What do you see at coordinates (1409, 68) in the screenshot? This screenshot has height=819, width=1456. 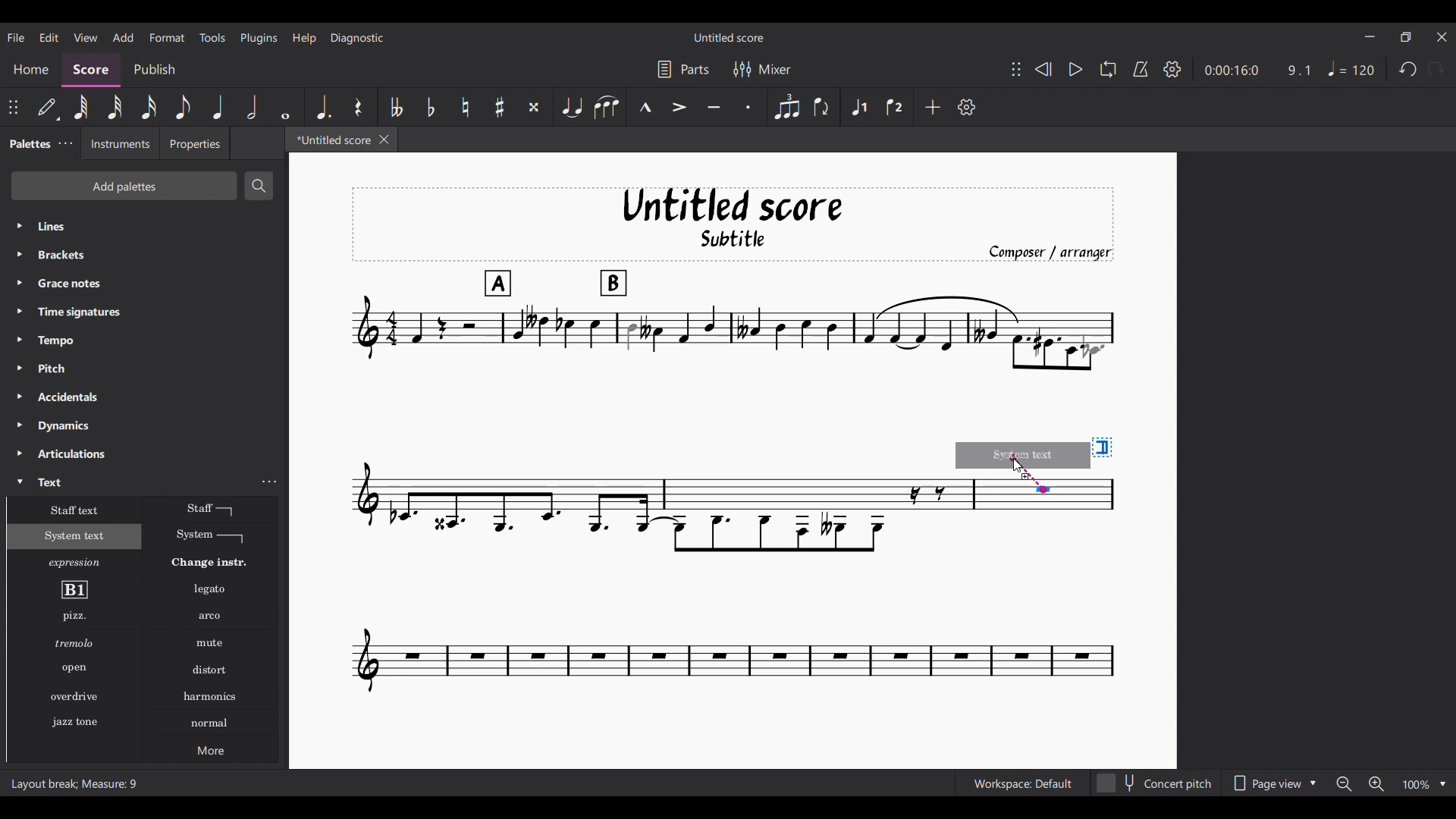 I see `Undo` at bounding box center [1409, 68].